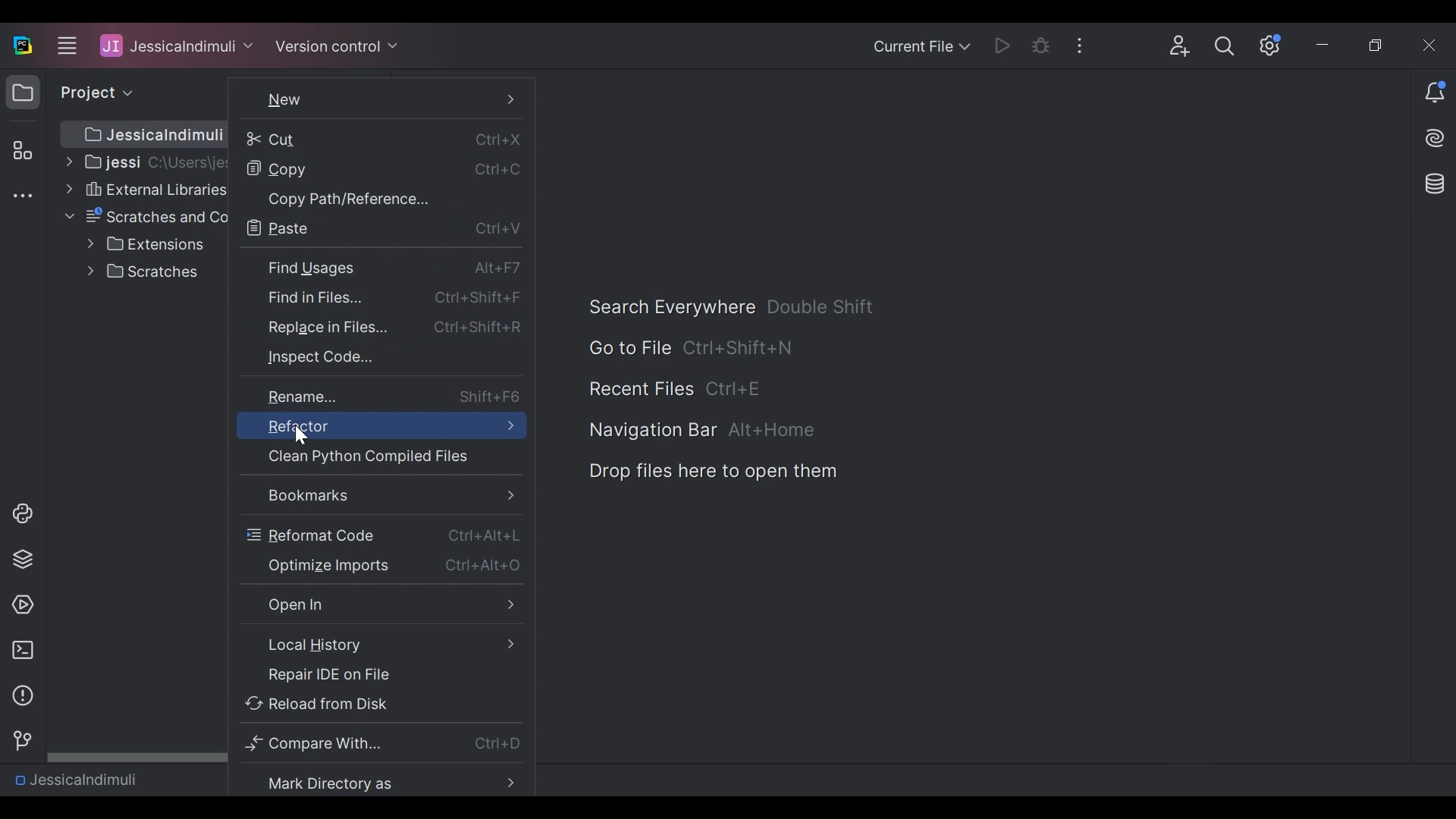 This screenshot has height=819, width=1456. Describe the element at coordinates (143, 134) in the screenshot. I see `Project Path` at that location.